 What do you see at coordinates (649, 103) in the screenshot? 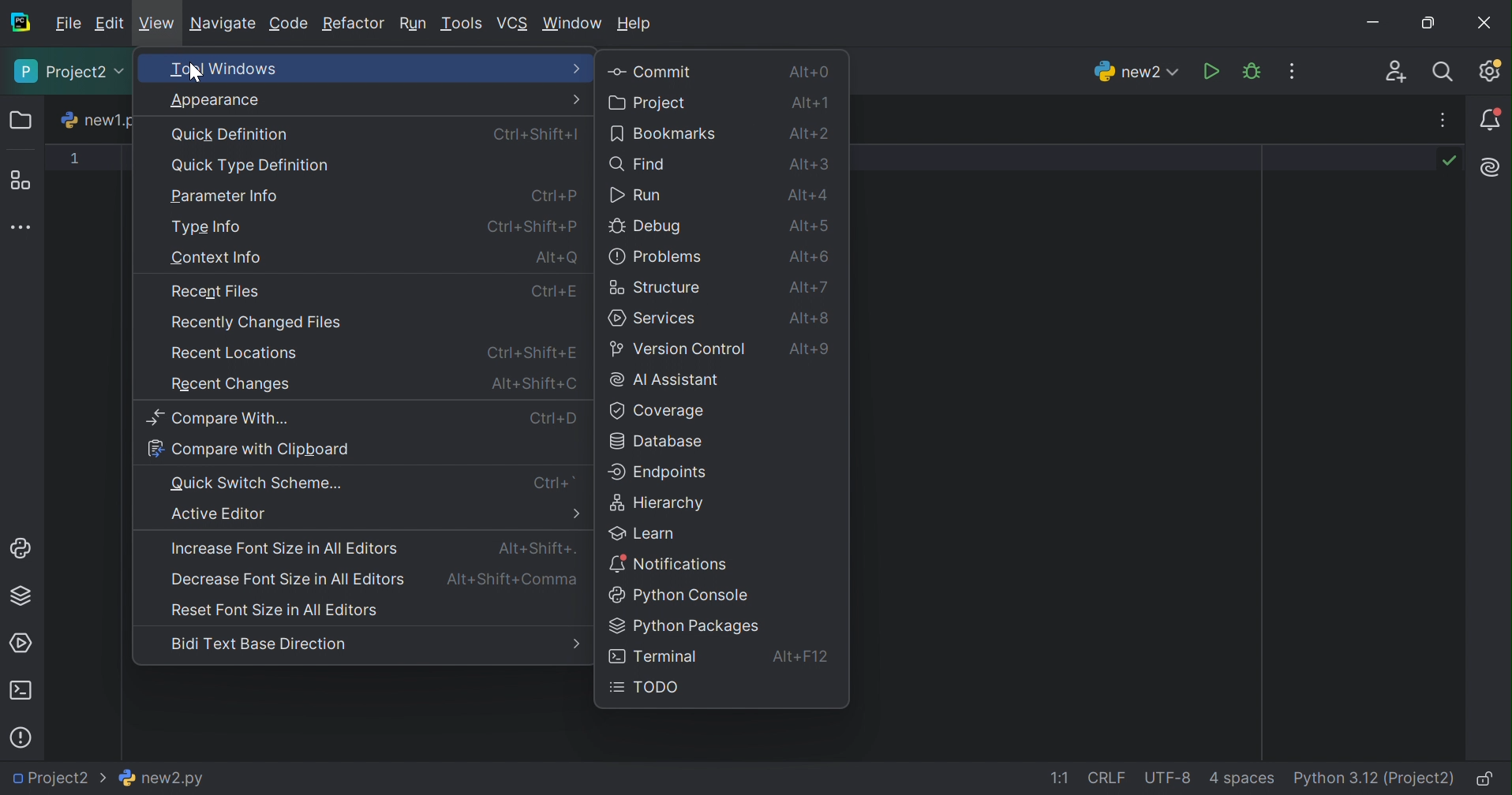
I see `Project` at bounding box center [649, 103].